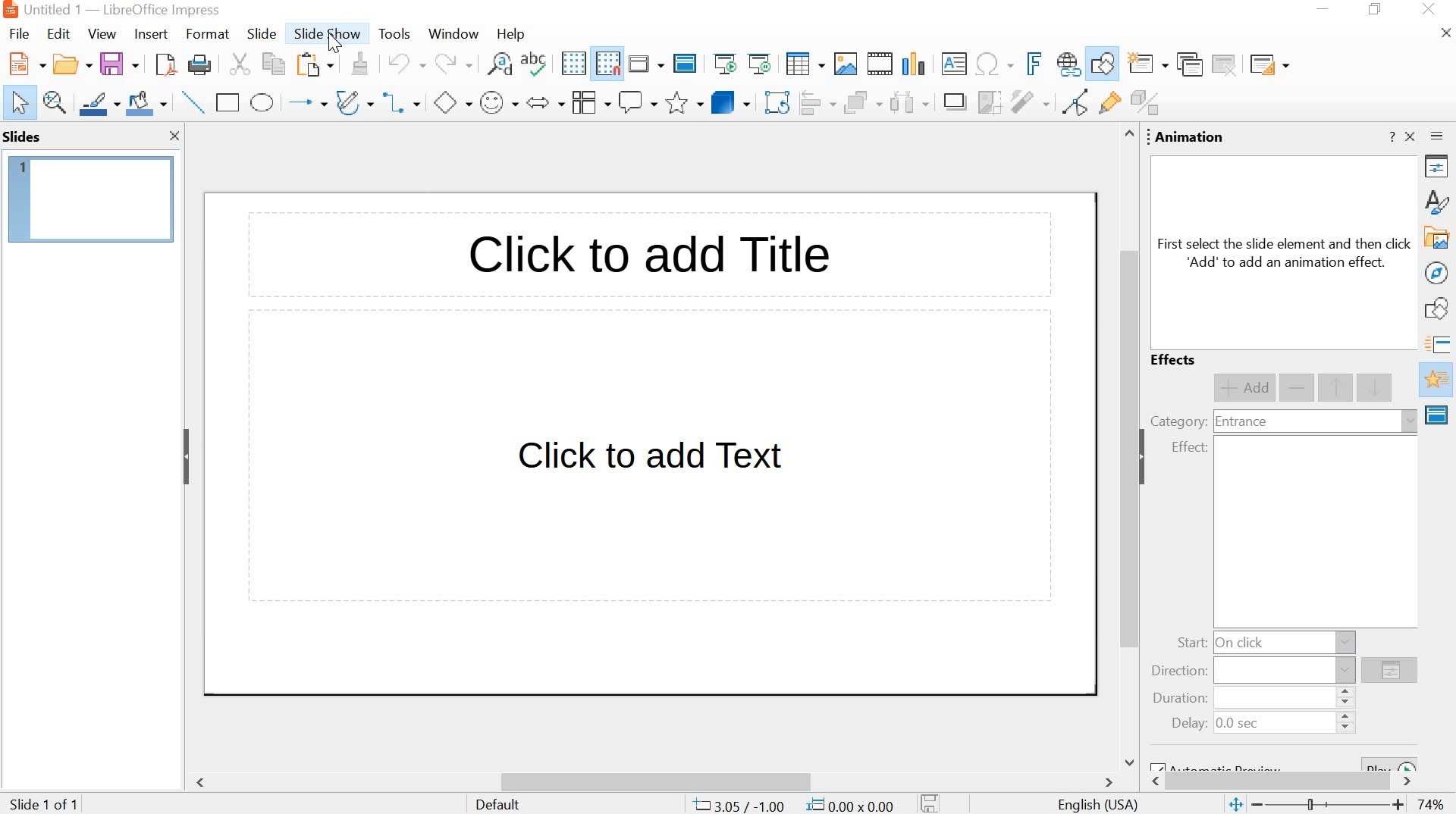 The height and width of the screenshot is (814, 1456). I want to click on snap to grid, so click(607, 64).